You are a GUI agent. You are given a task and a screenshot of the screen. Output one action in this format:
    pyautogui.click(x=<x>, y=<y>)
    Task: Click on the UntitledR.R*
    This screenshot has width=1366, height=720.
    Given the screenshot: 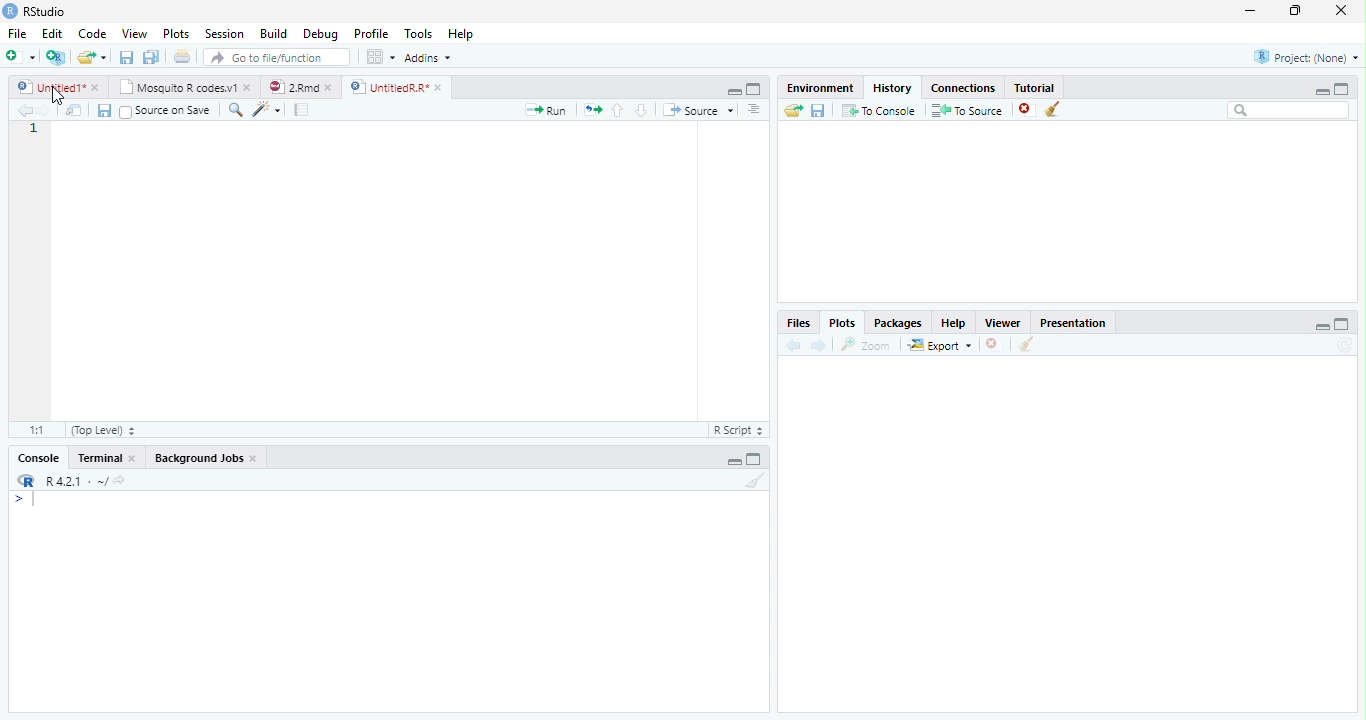 What is the action you would take?
    pyautogui.click(x=387, y=87)
    